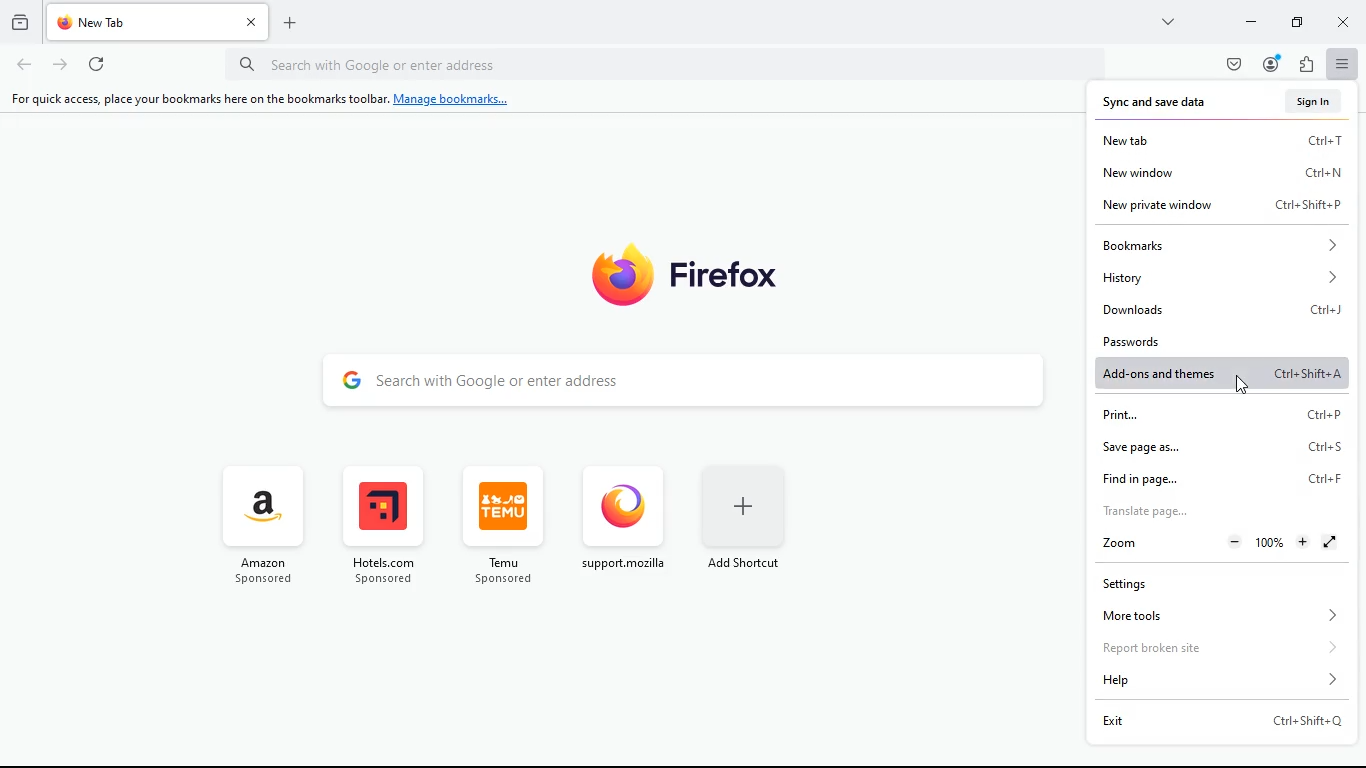 This screenshot has height=768, width=1366. What do you see at coordinates (1344, 64) in the screenshot?
I see `menu` at bounding box center [1344, 64].